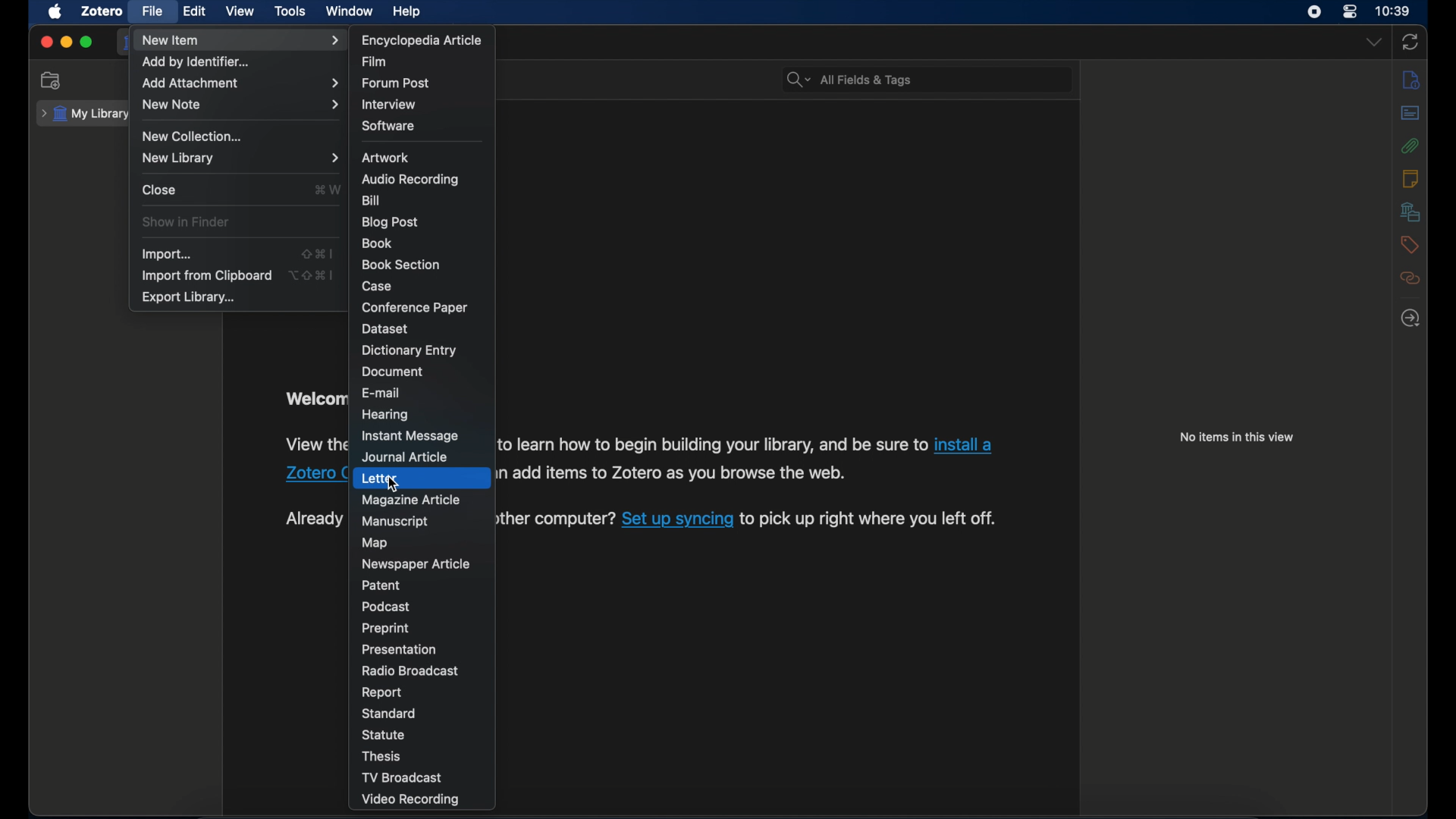 The image size is (1456, 819). What do you see at coordinates (153, 11) in the screenshot?
I see `file` at bounding box center [153, 11].